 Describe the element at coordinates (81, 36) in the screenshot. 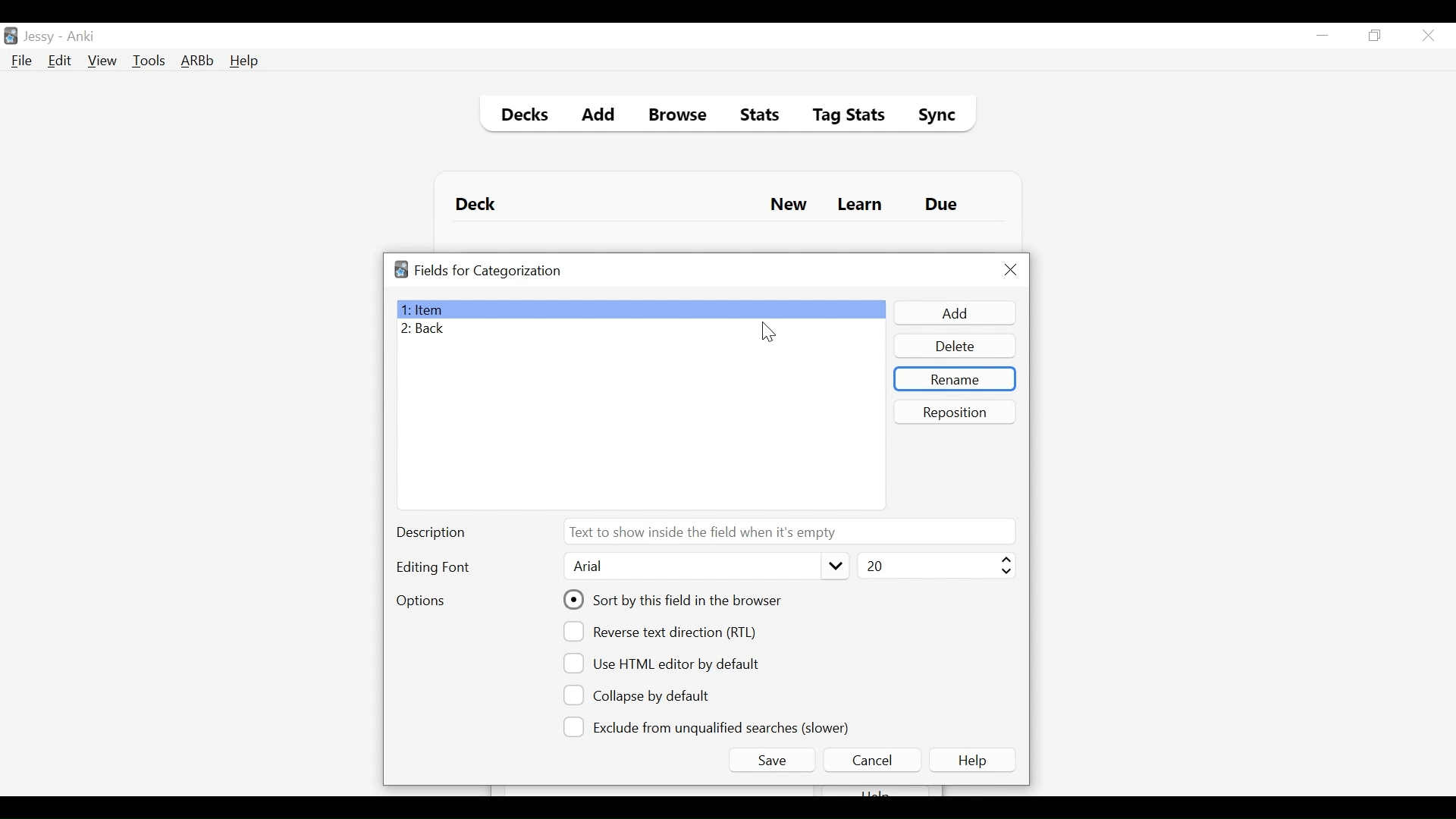

I see `Anki` at that location.